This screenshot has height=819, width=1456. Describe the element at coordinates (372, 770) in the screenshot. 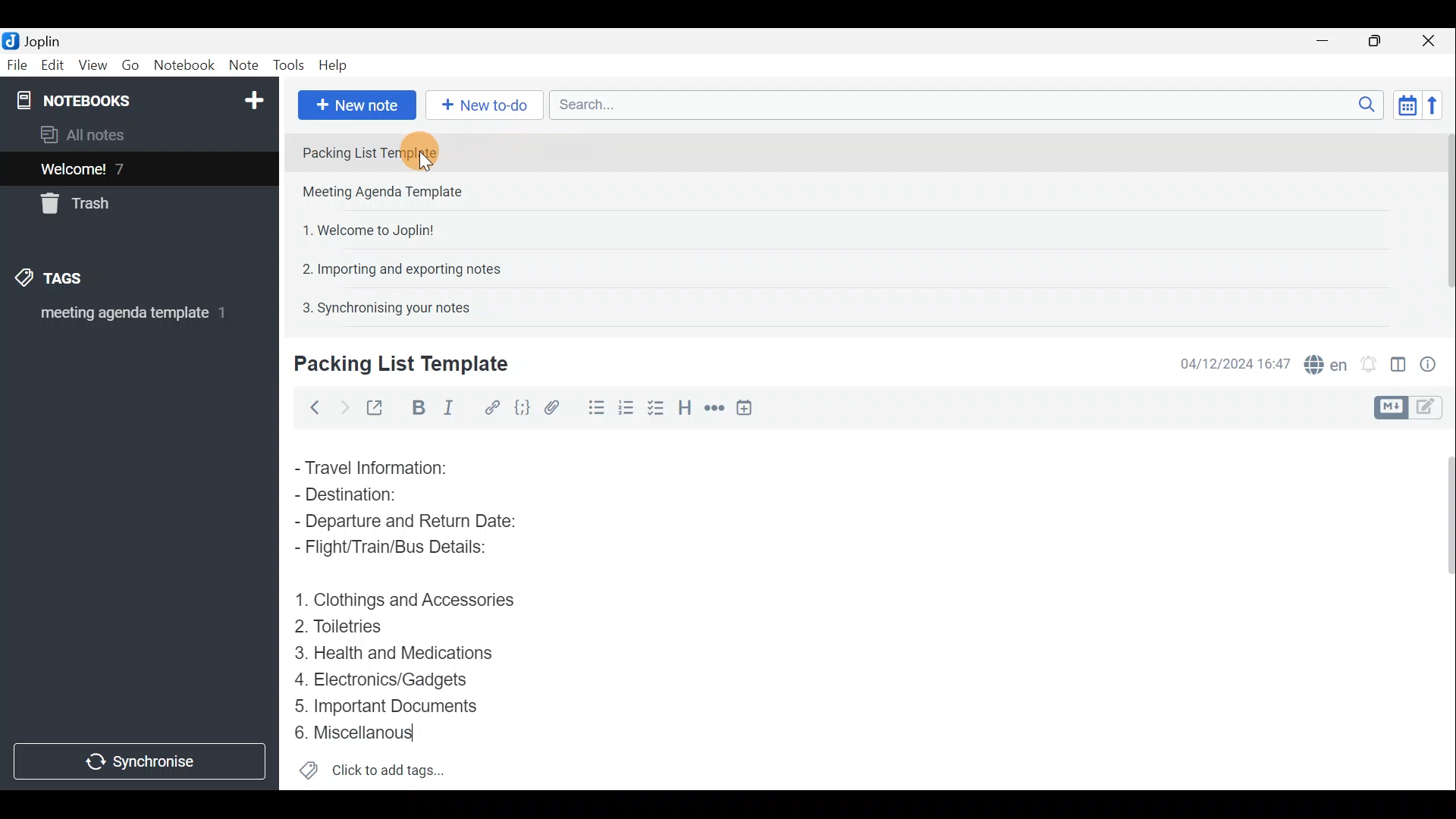

I see `Click to add tags` at that location.